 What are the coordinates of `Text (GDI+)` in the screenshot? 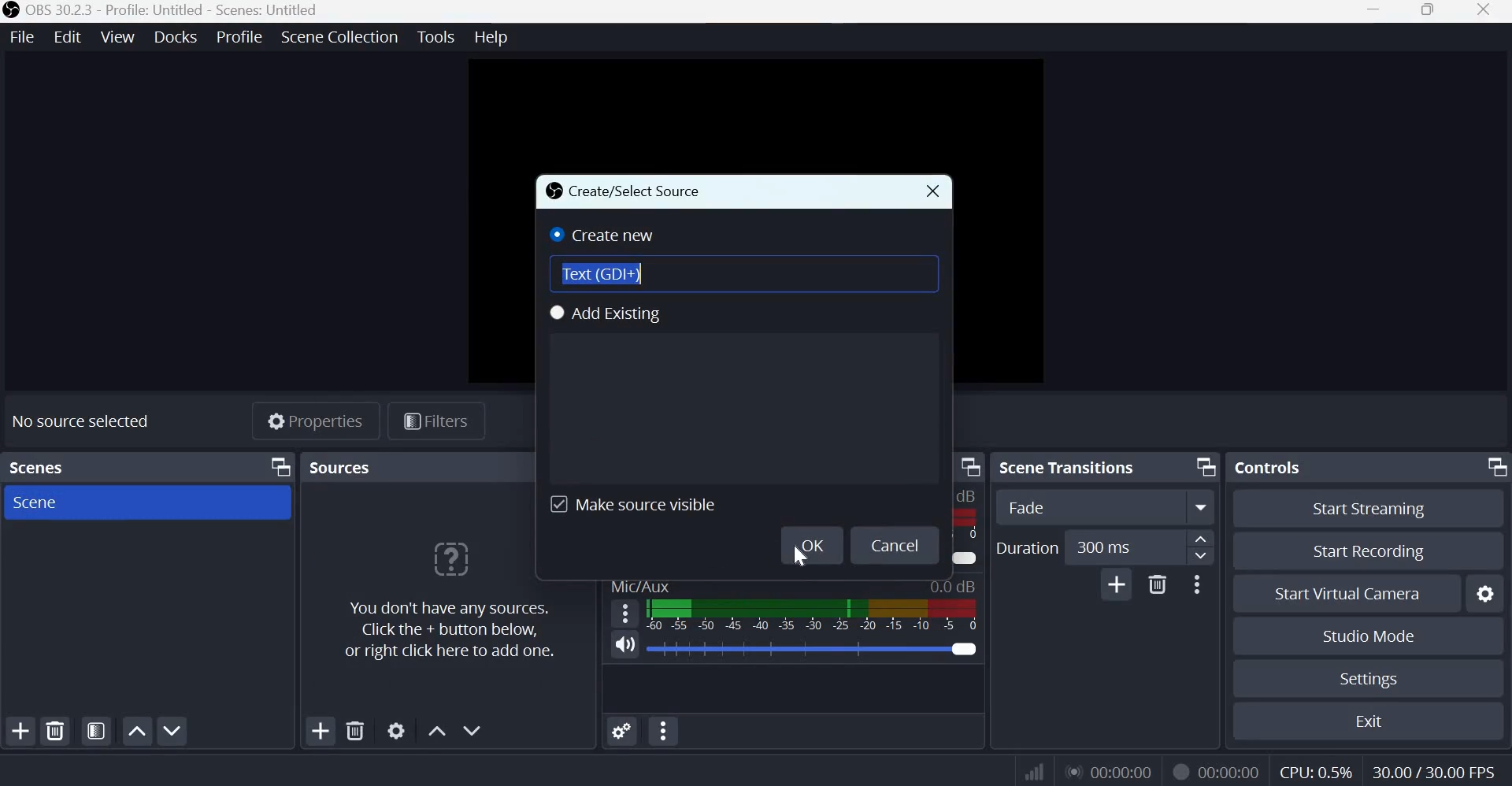 It's located at (745, 273).